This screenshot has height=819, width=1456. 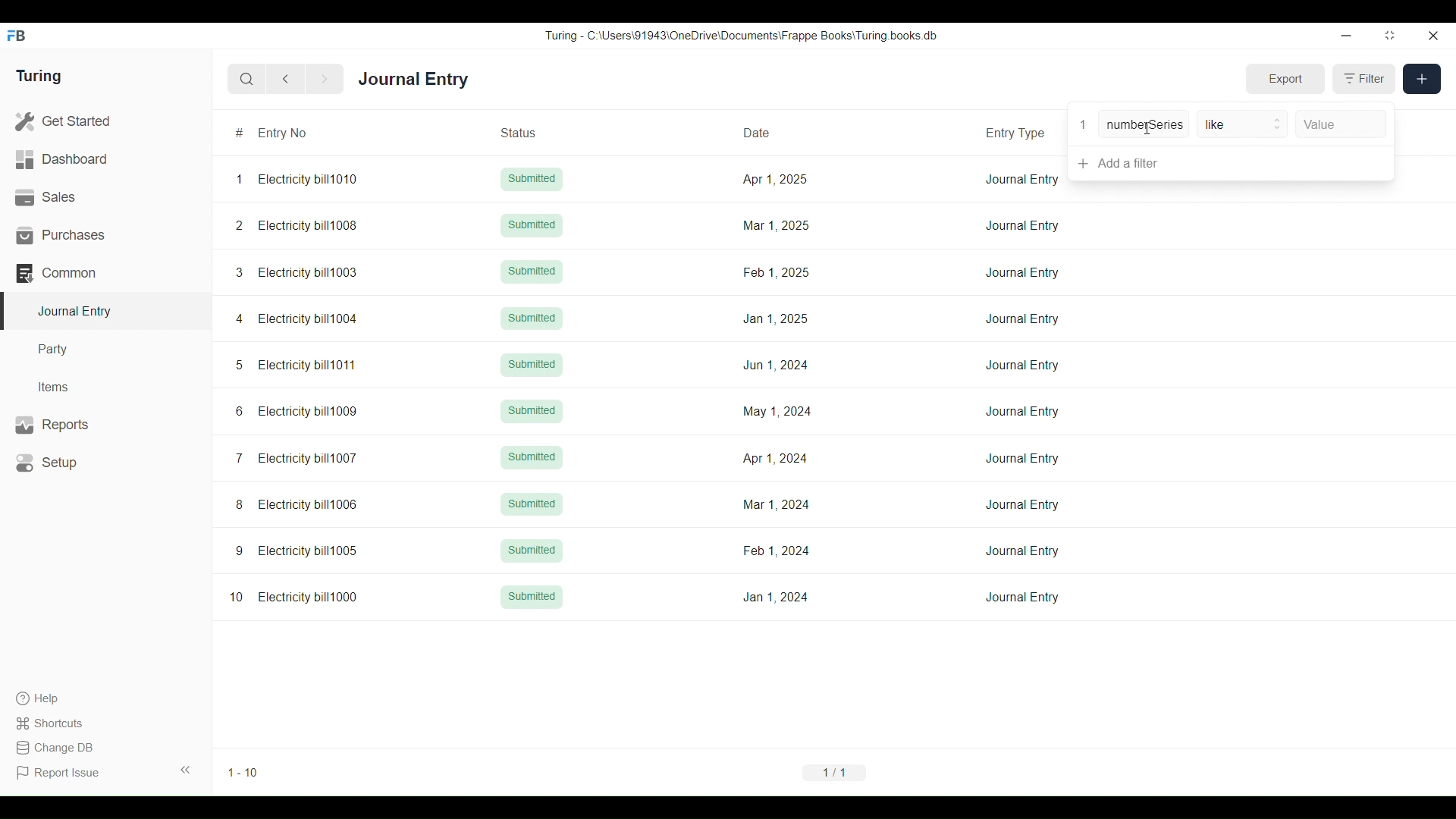 I want to click on 1/1, so click(x=834, y=772).